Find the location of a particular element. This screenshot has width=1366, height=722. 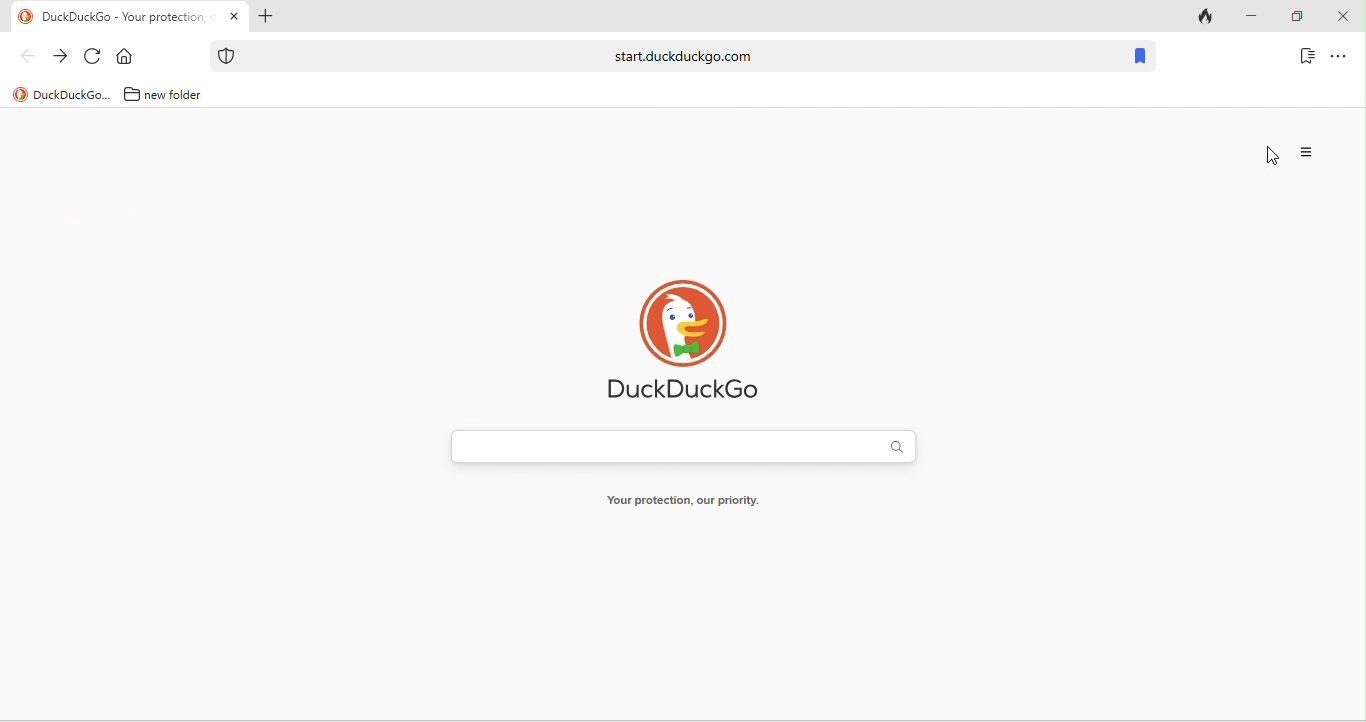

add tab is located at coordinates (267, 17).